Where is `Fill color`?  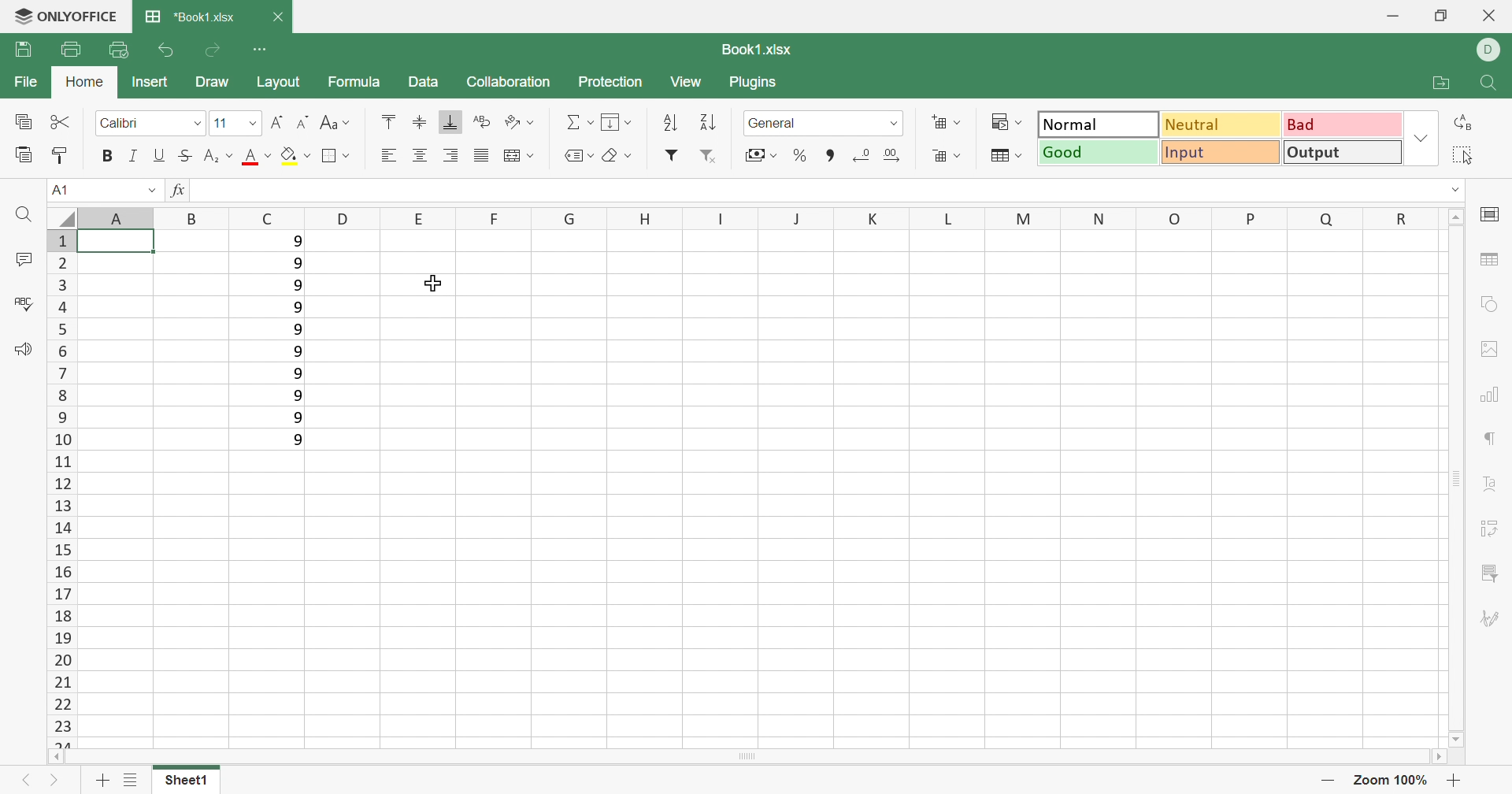 Fill color is located at coordinates (295, 155).